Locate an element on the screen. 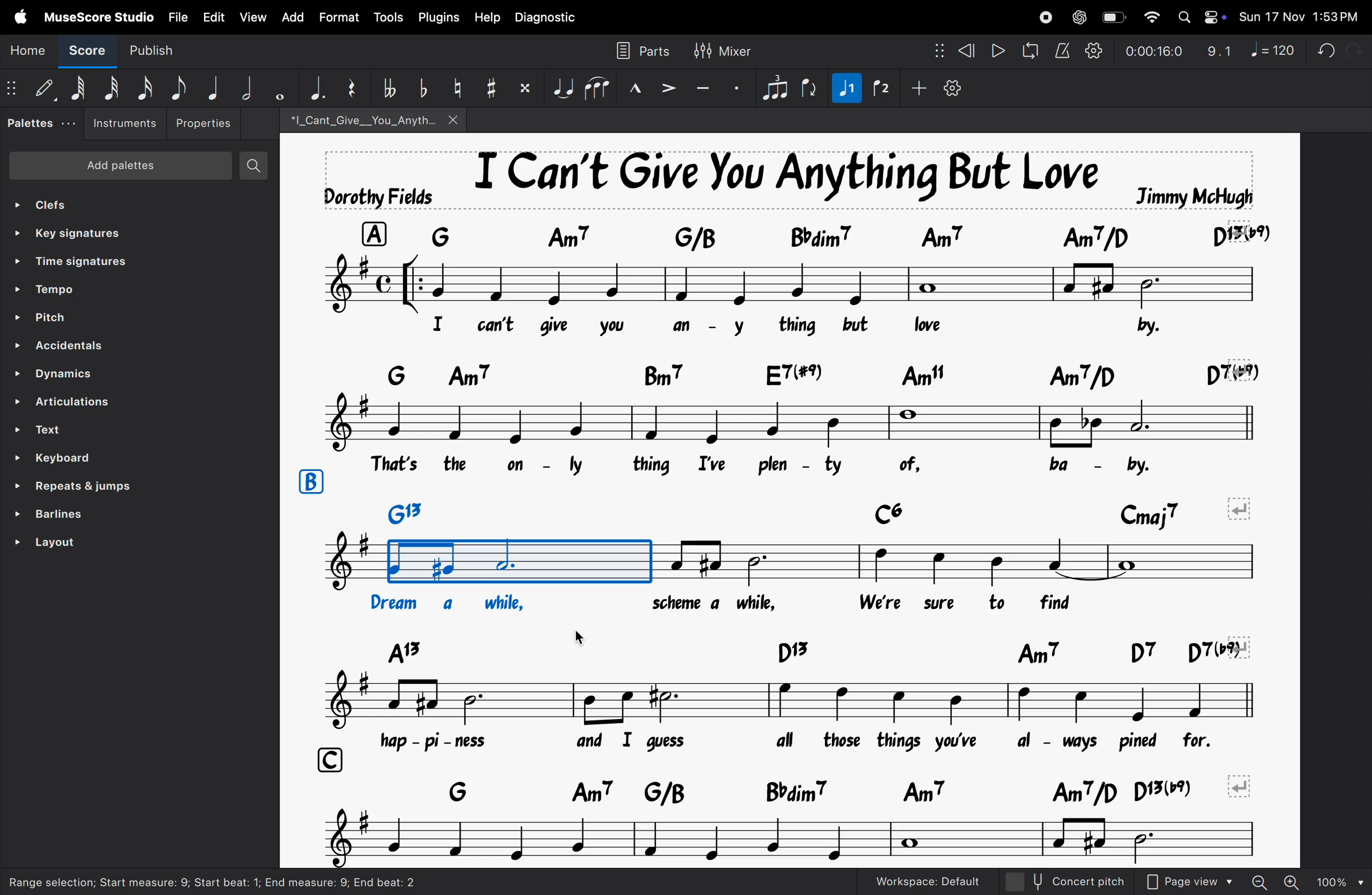  lyrics is located at coordinates (766, 604).